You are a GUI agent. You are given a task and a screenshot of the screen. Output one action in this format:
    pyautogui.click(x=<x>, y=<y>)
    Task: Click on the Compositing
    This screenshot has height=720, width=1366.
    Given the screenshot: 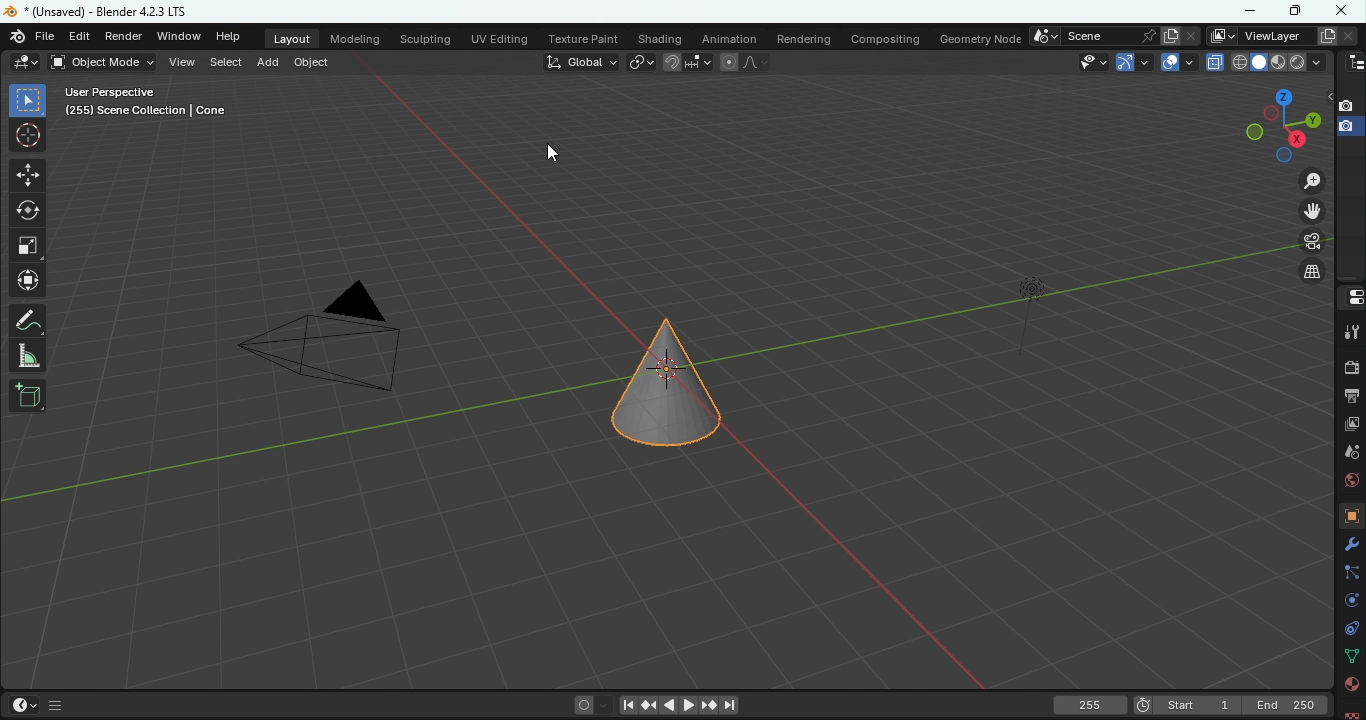 What is the action you would take?
    pyautogui.click(x=888, y=37)
    